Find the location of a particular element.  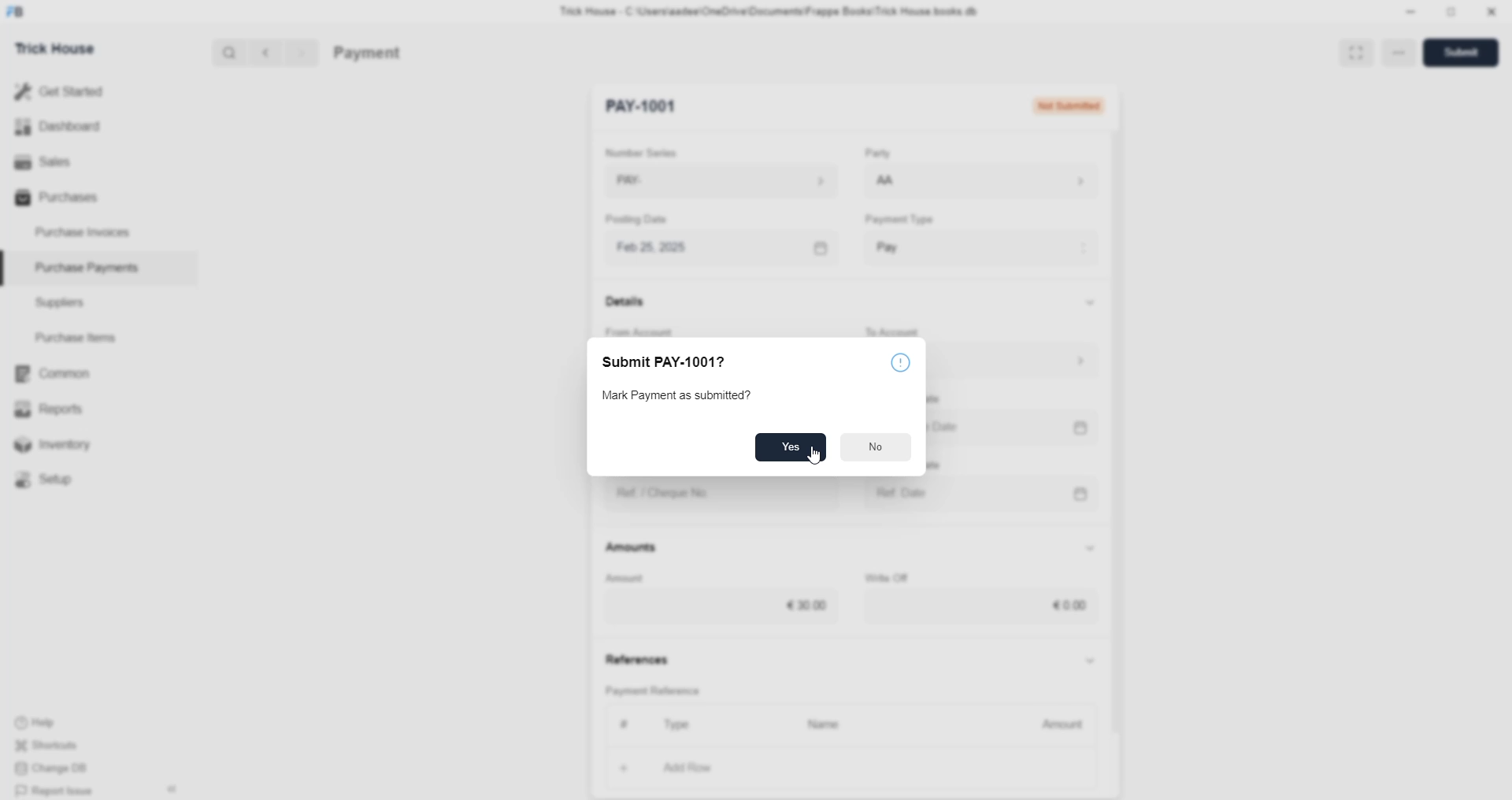

€0.00 is located at coordinates (1073, 606).